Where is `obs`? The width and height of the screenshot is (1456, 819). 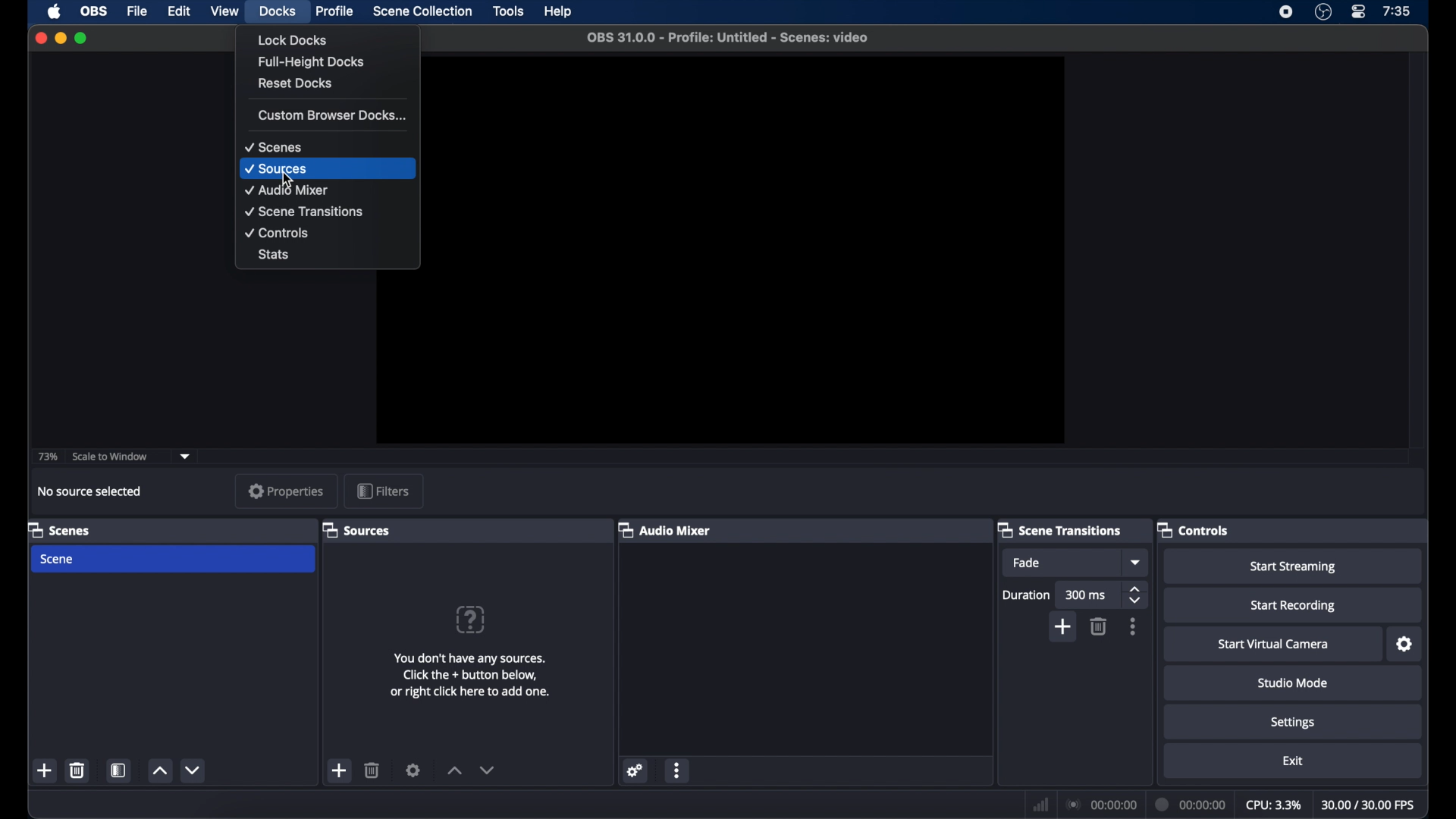
obs is located at coordinates (94, 12).